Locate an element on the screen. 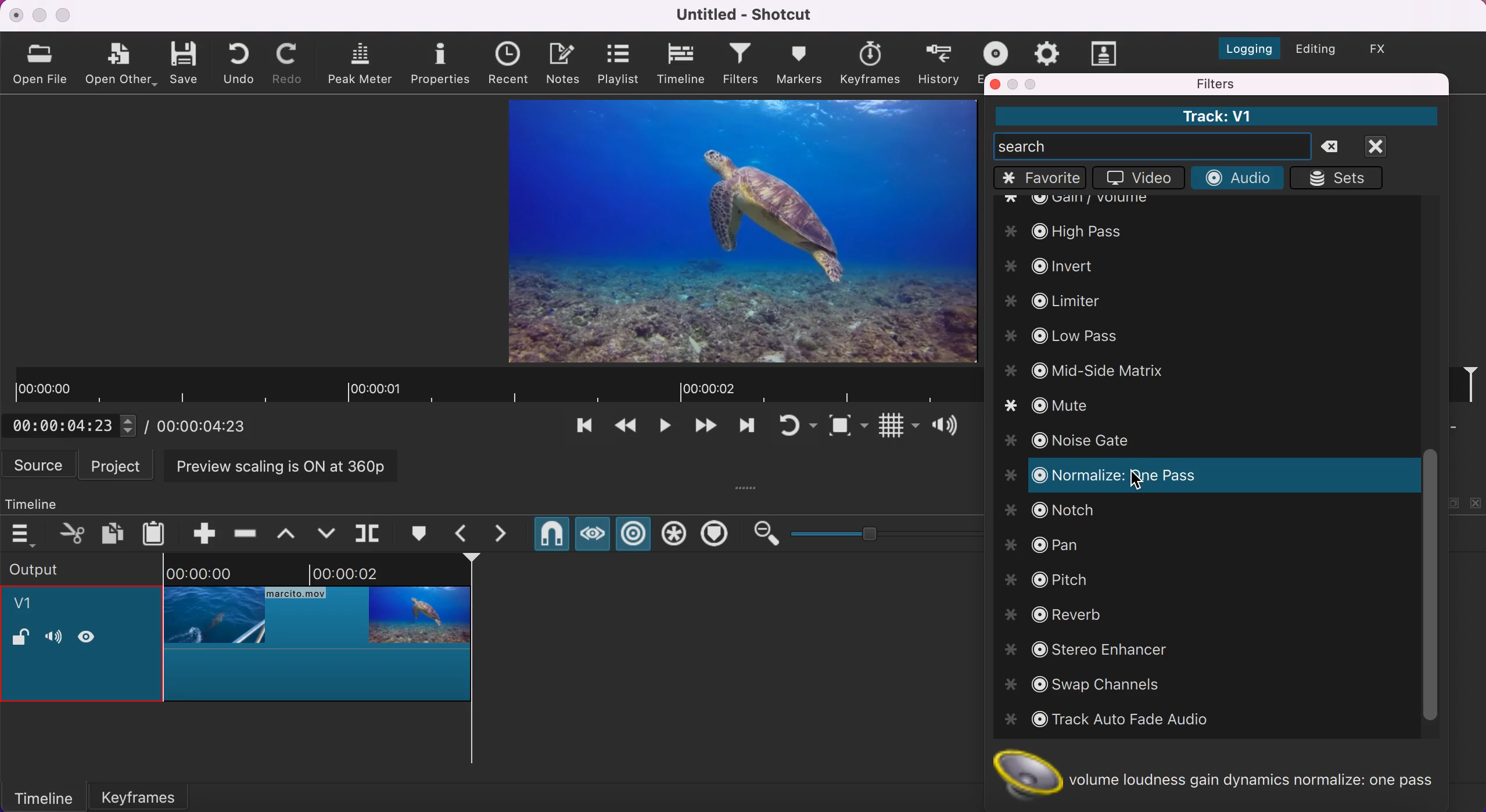  total duration is located at coordinates (208, 426).